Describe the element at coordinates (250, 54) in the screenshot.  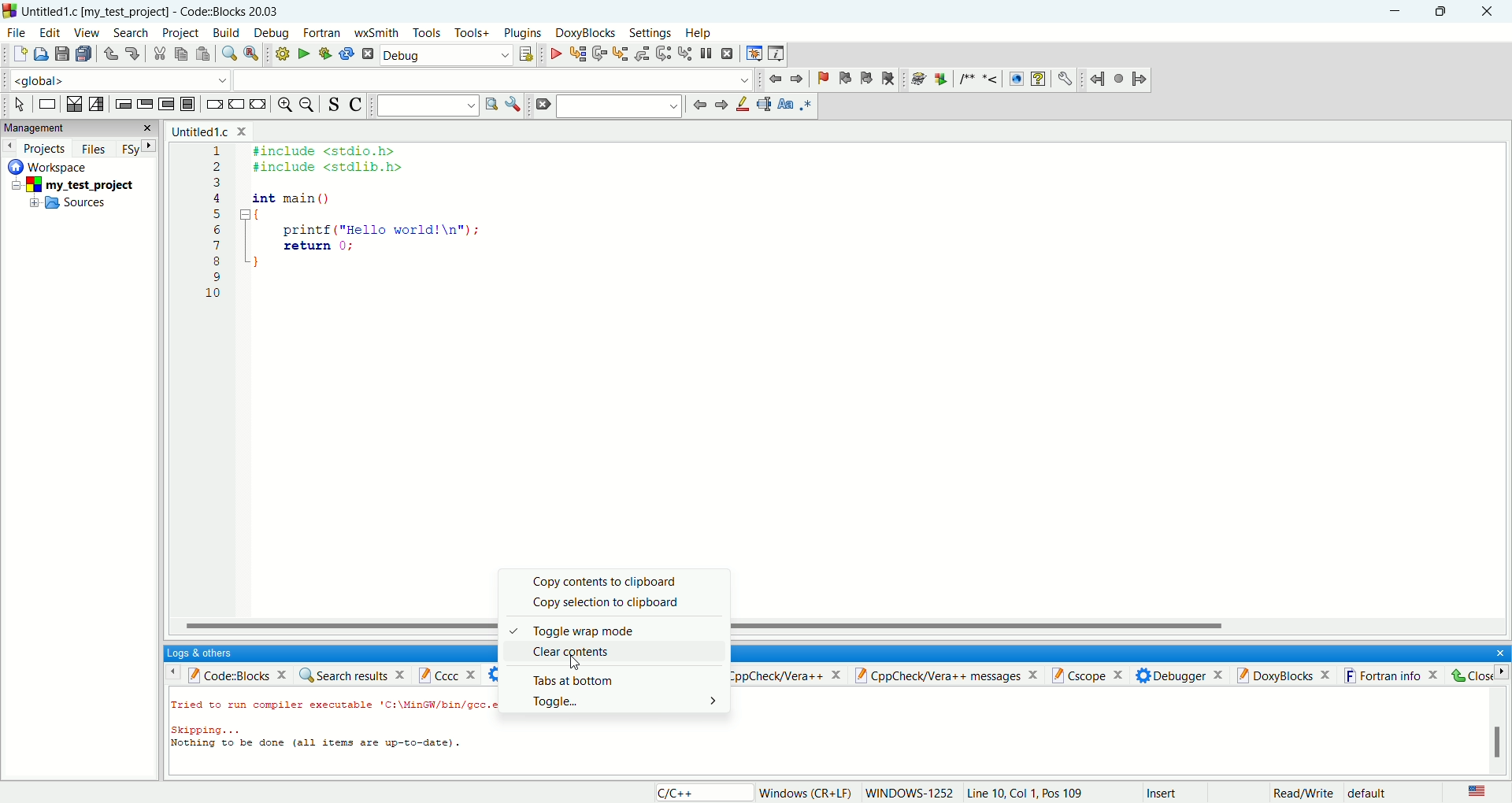
I see `replace` at that location.